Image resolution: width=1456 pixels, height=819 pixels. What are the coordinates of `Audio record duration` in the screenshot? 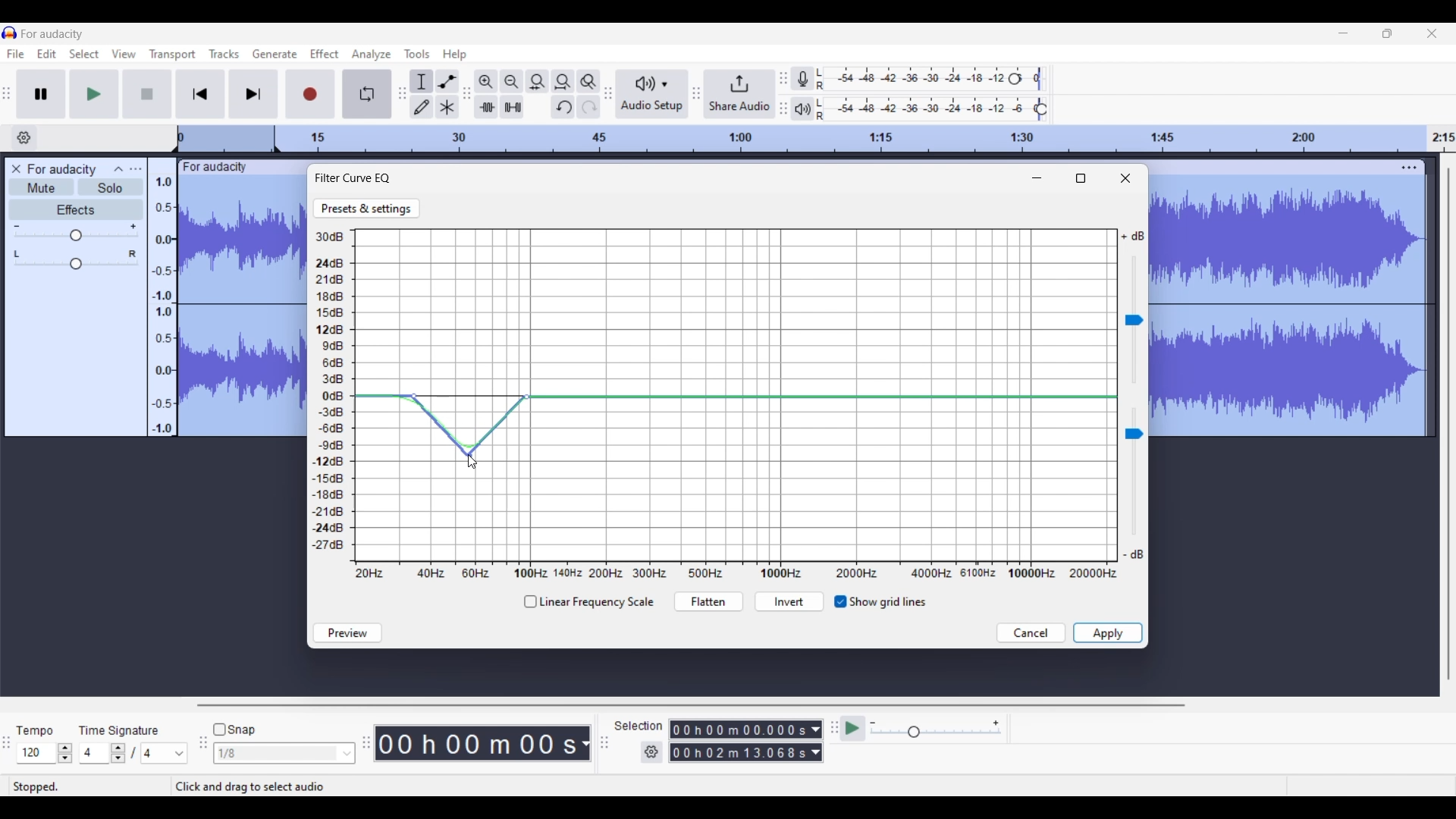 It's located at (585, 744).